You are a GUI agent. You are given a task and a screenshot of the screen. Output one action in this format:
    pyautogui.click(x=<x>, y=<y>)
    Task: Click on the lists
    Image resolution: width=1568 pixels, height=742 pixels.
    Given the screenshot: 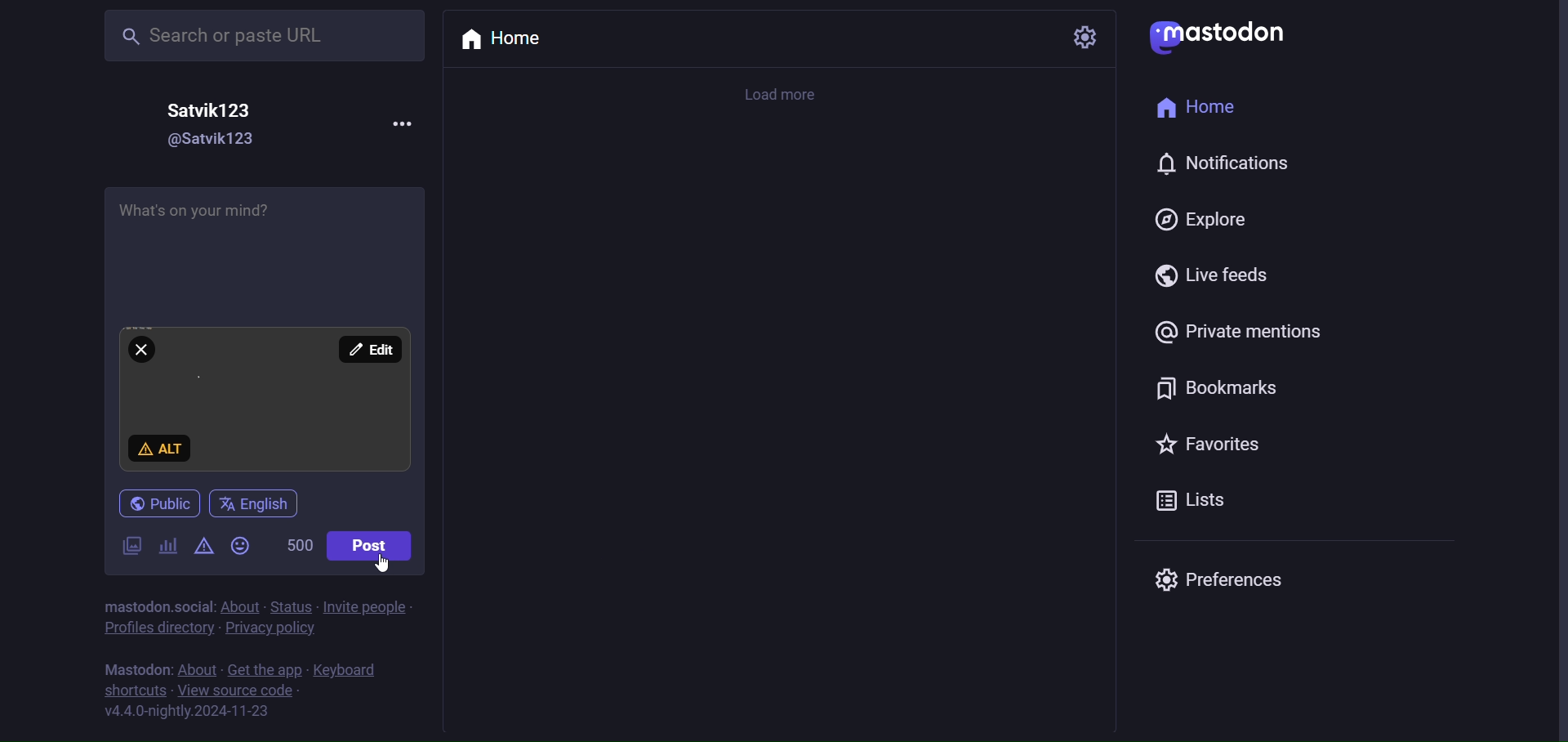 What is the action you would take?
    pyautogui.click(x=1192, y=503)
    